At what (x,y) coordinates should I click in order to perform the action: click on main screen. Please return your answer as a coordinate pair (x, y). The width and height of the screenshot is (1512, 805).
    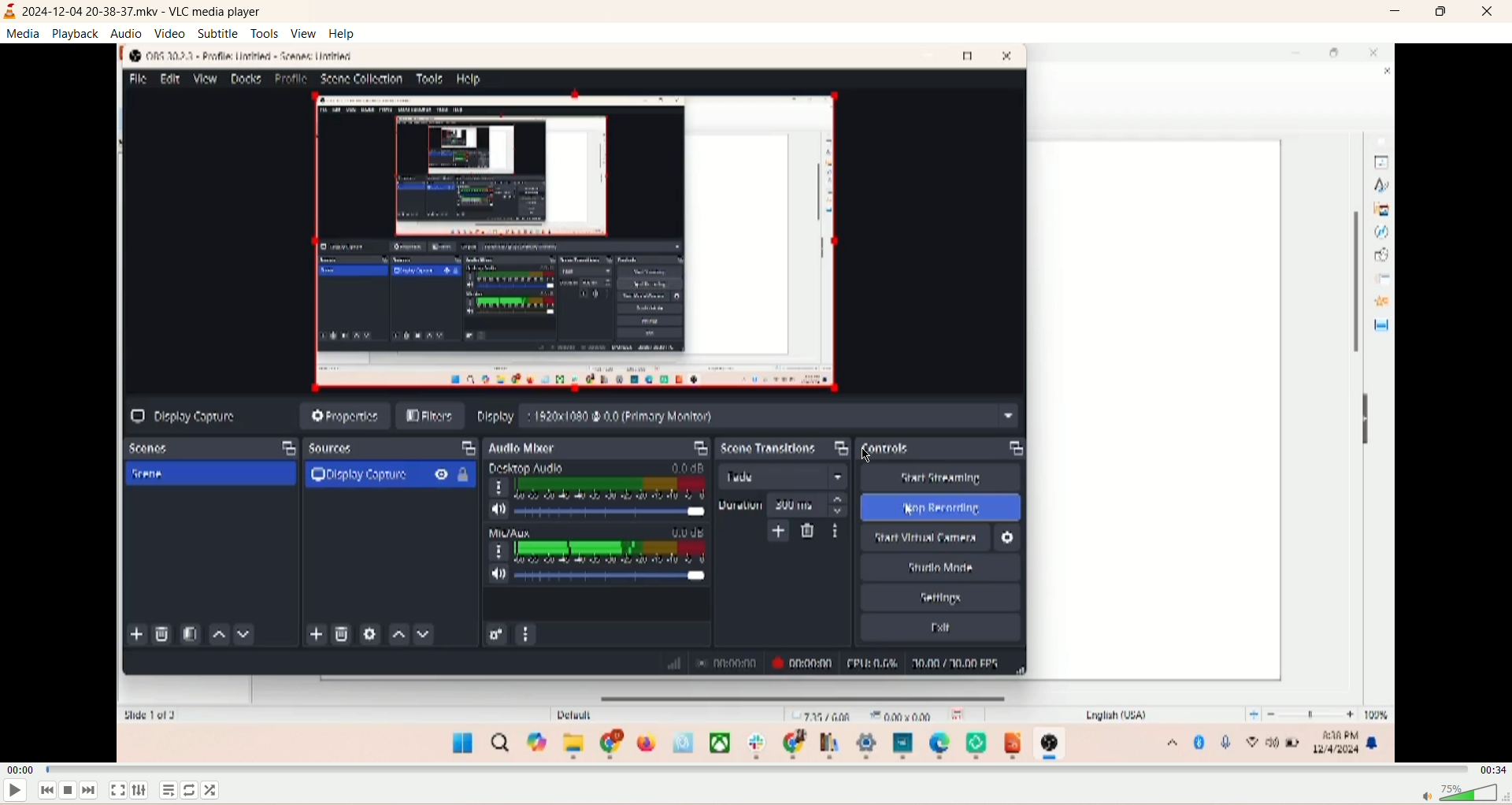
    Looking at the image, I should click on (762, 399).